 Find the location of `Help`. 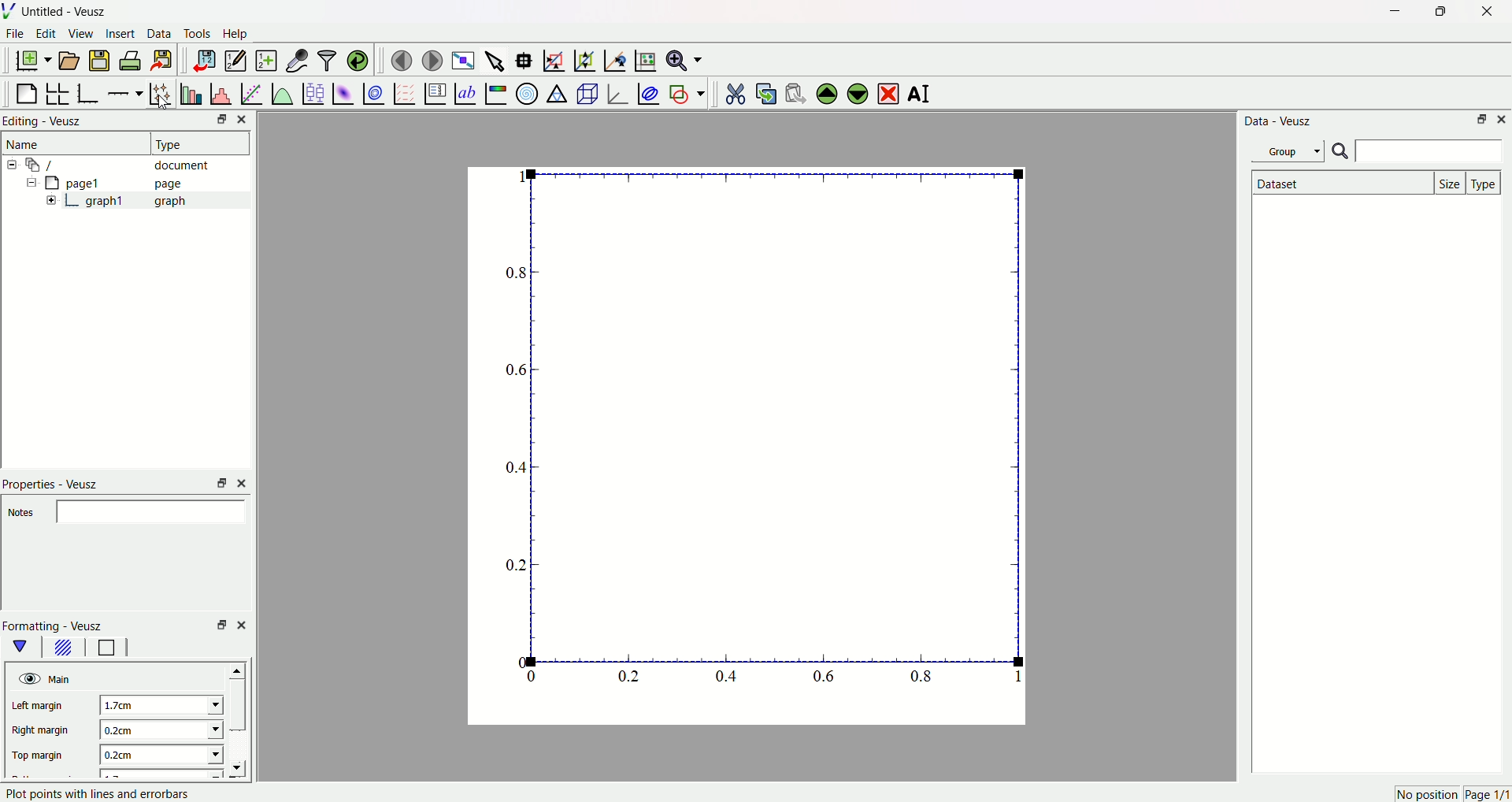

Help is located at coordinates (240, 34).